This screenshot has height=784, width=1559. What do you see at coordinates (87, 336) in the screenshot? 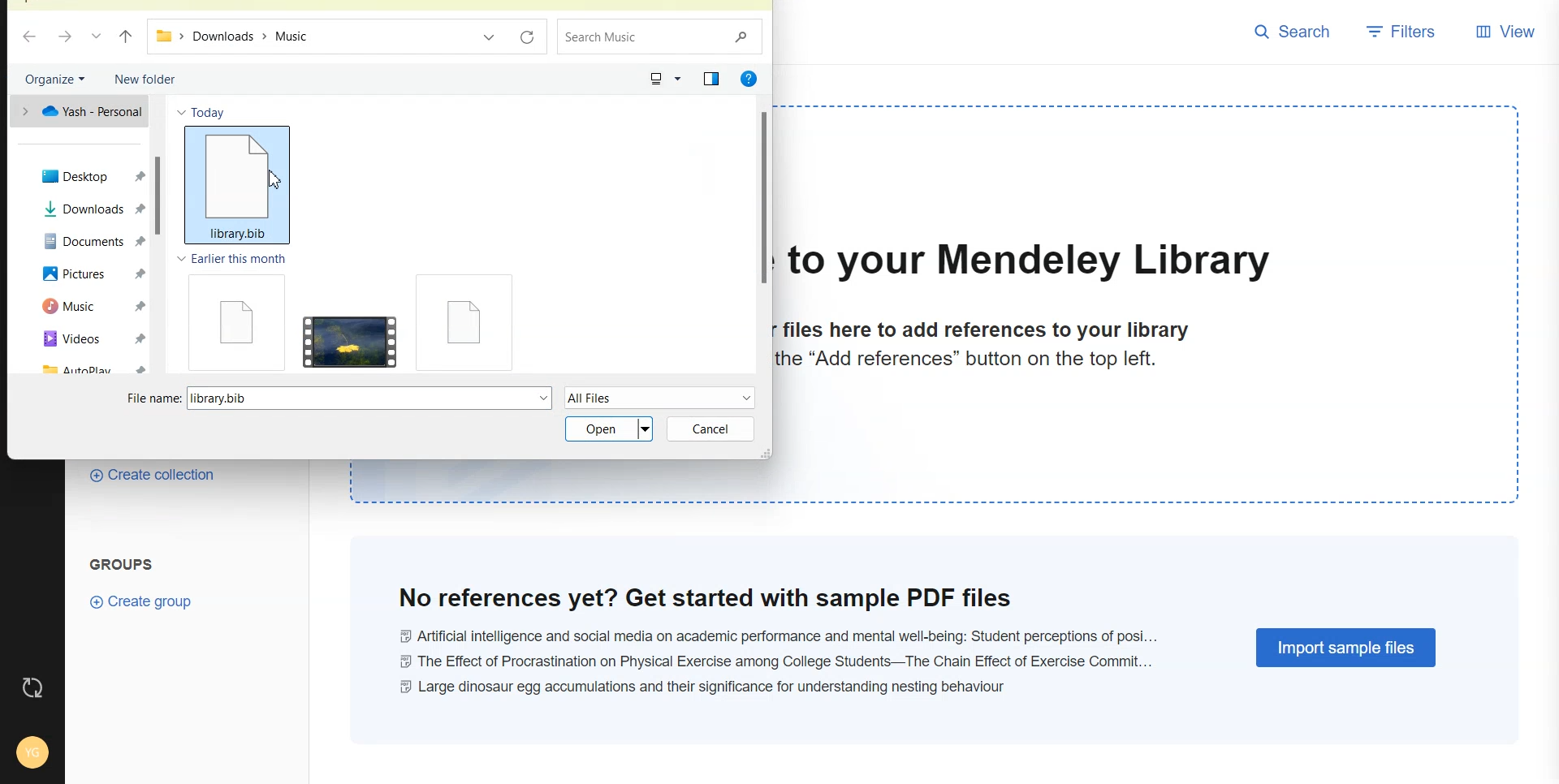
I see `Videos` at bounding box center [87, 336].